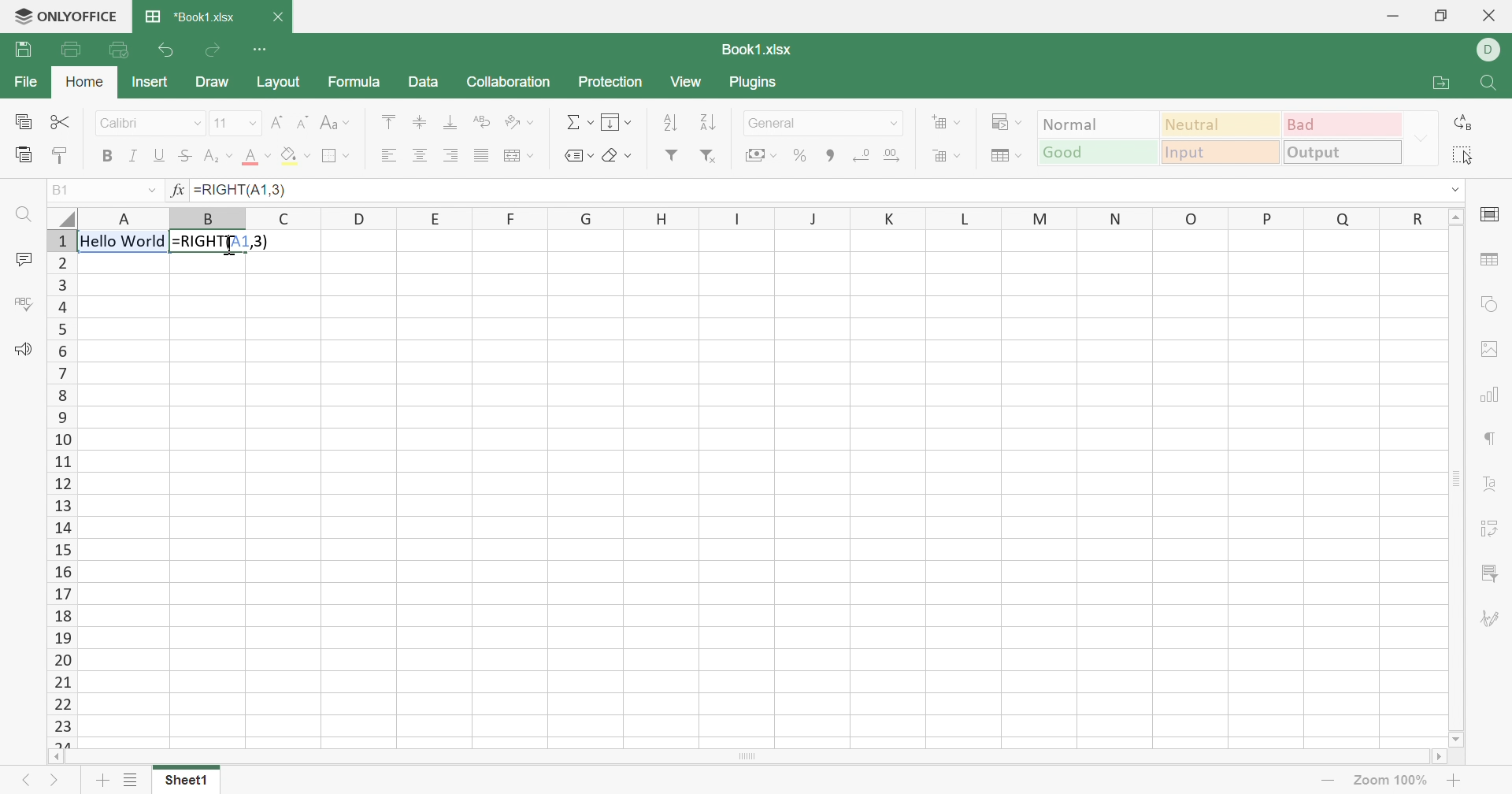 The width and height of the screenshot is (1512, 794). I want to click on elect all, so click(1469, 155).